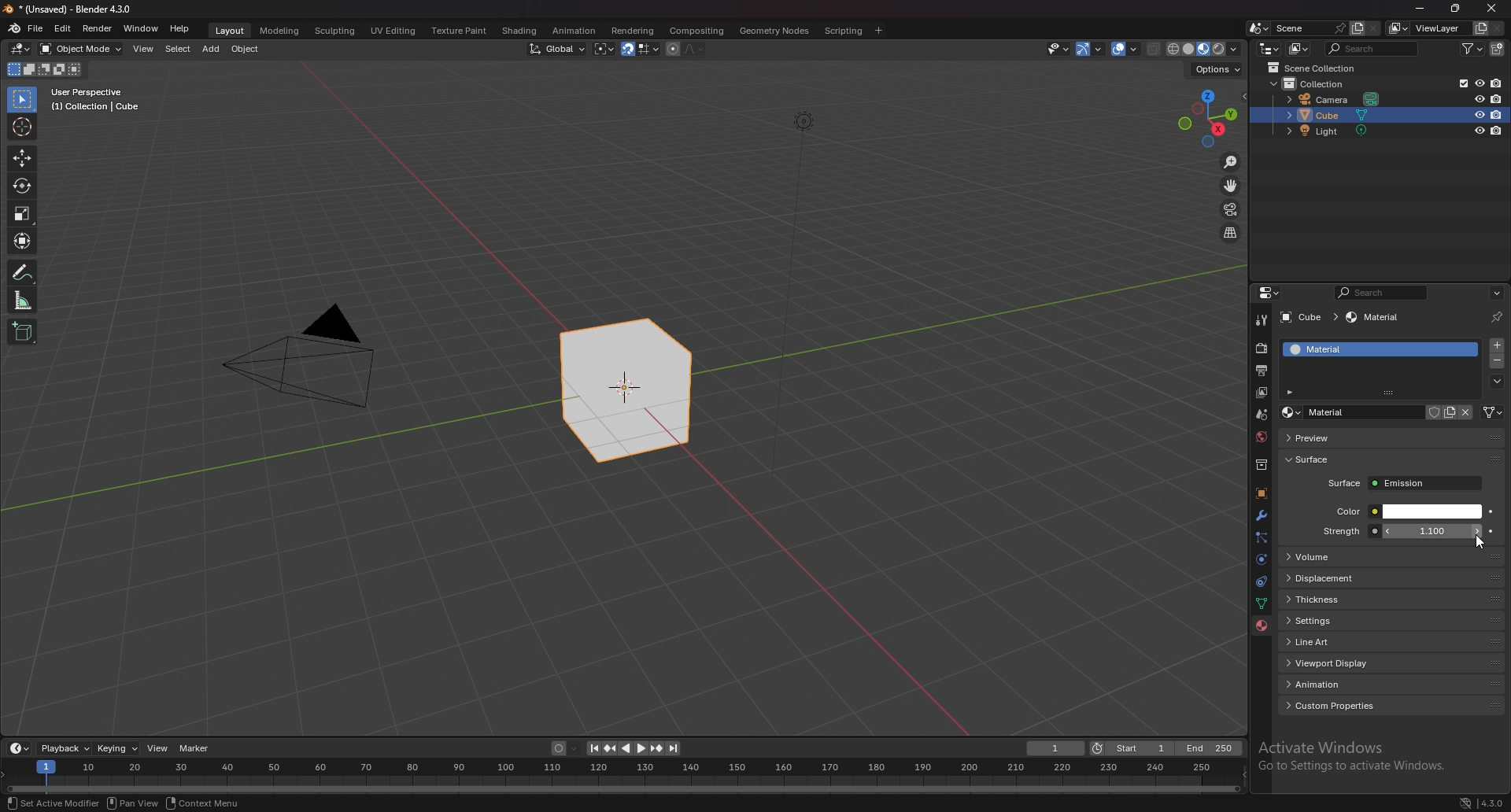 The width and height of the screenshot is (1511, 812). What do you see at coordinates (20, 49) in the screenshot?
I see `editor type` at bounding box center [20, 49].